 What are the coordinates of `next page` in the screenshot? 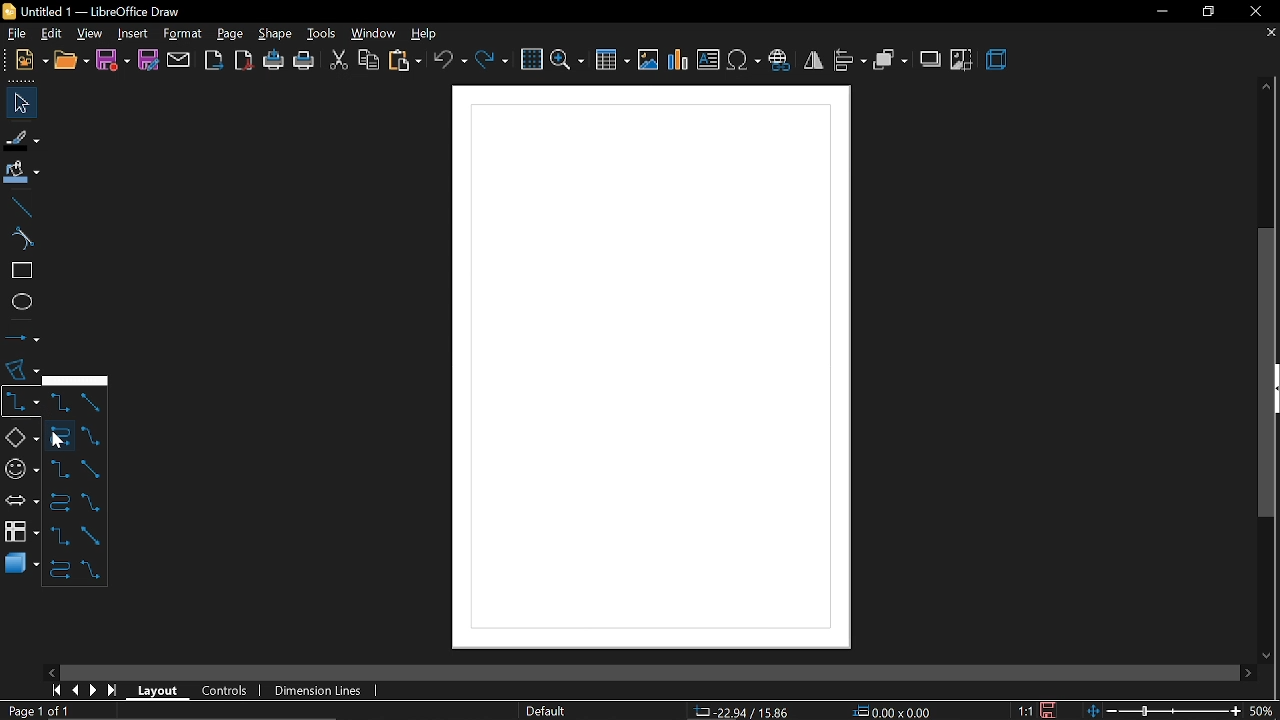 It's located at (93, 690).